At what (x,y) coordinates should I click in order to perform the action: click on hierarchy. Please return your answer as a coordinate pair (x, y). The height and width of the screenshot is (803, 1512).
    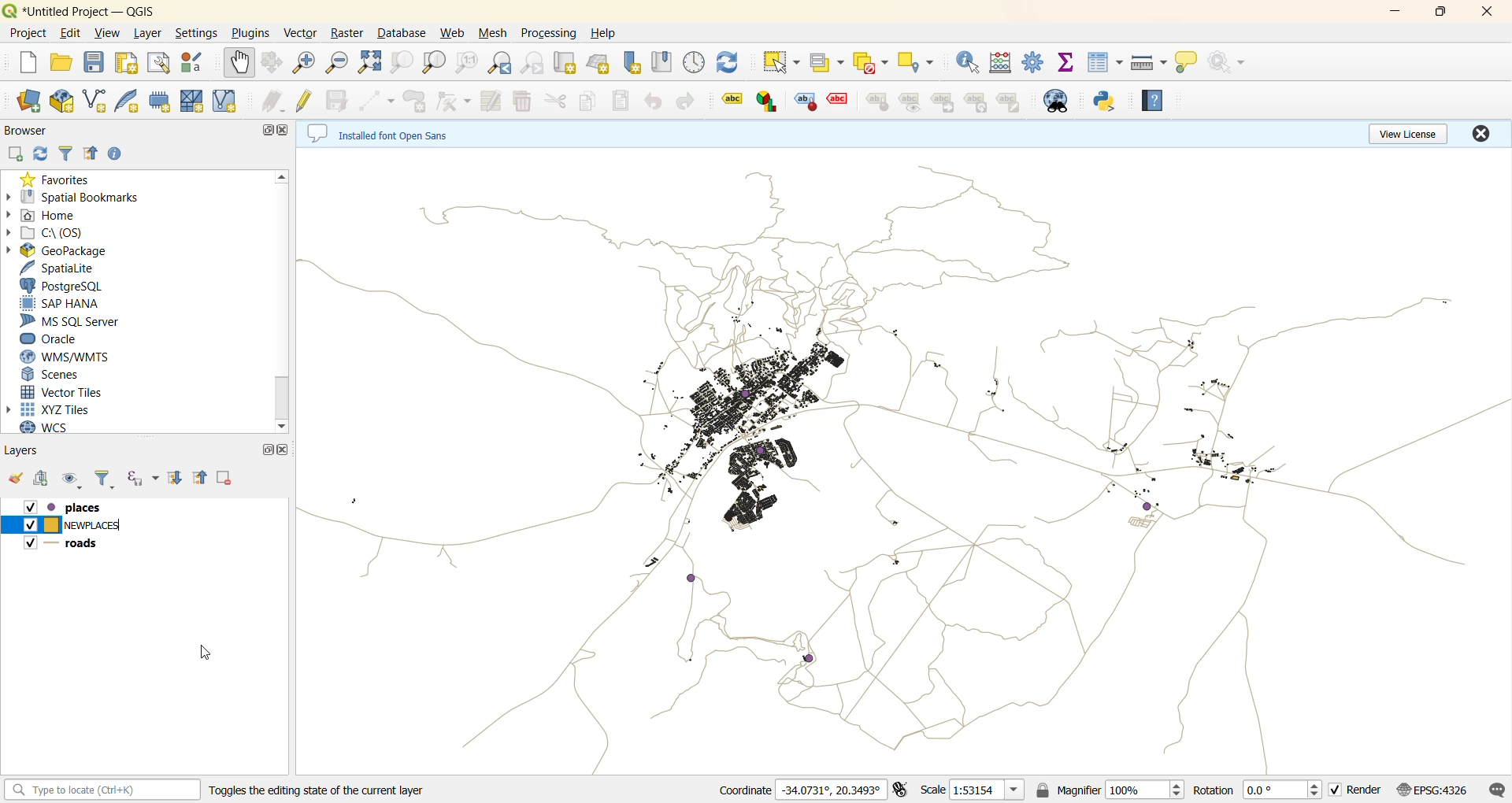
    Looking at the image, I should click on (977, 102).